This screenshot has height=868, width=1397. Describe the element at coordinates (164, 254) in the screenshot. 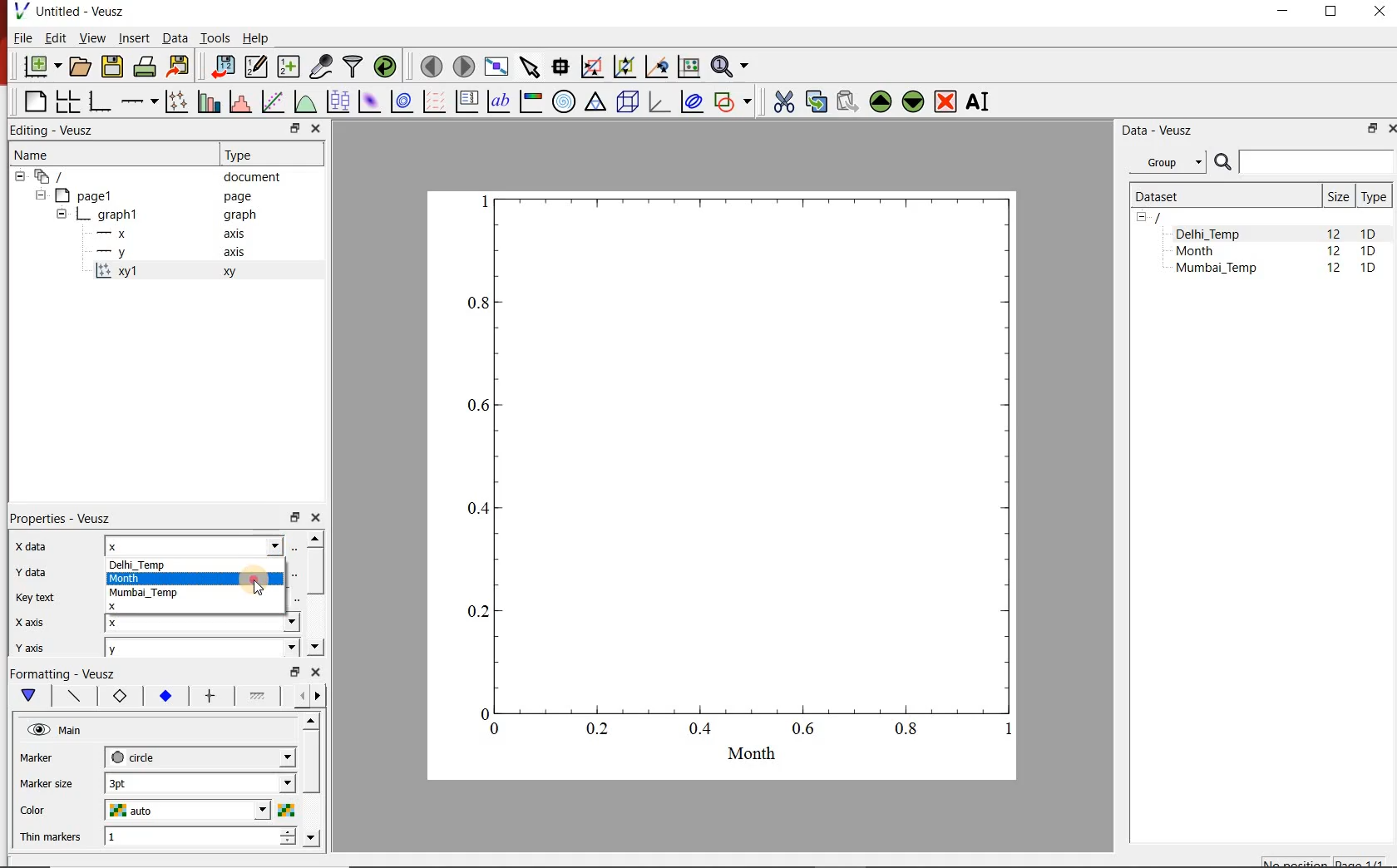

I see `-y axis` at that location.